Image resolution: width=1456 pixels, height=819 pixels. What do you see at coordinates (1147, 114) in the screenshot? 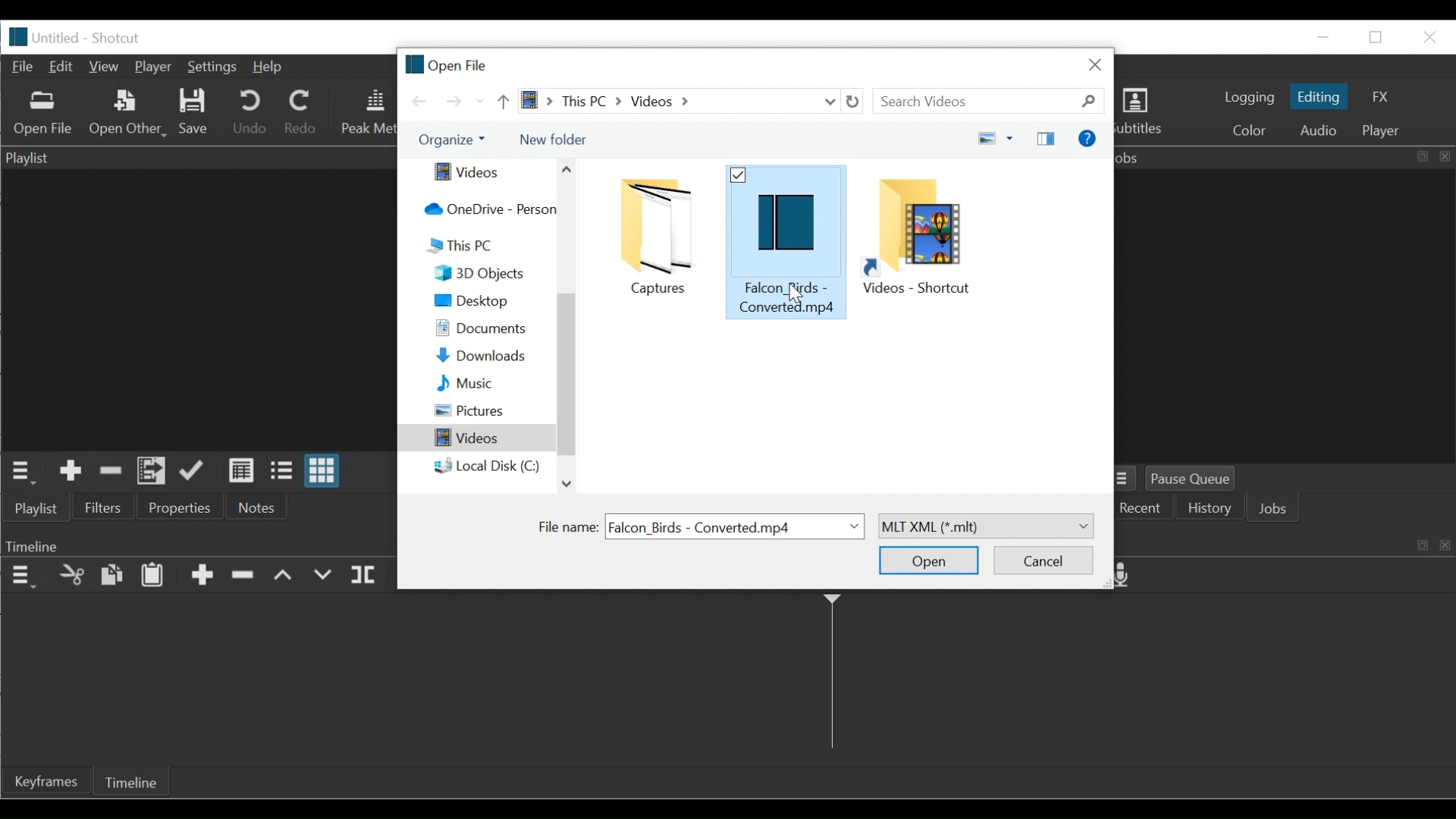
I see `Subtitles` at bounding box center [1147, 114].